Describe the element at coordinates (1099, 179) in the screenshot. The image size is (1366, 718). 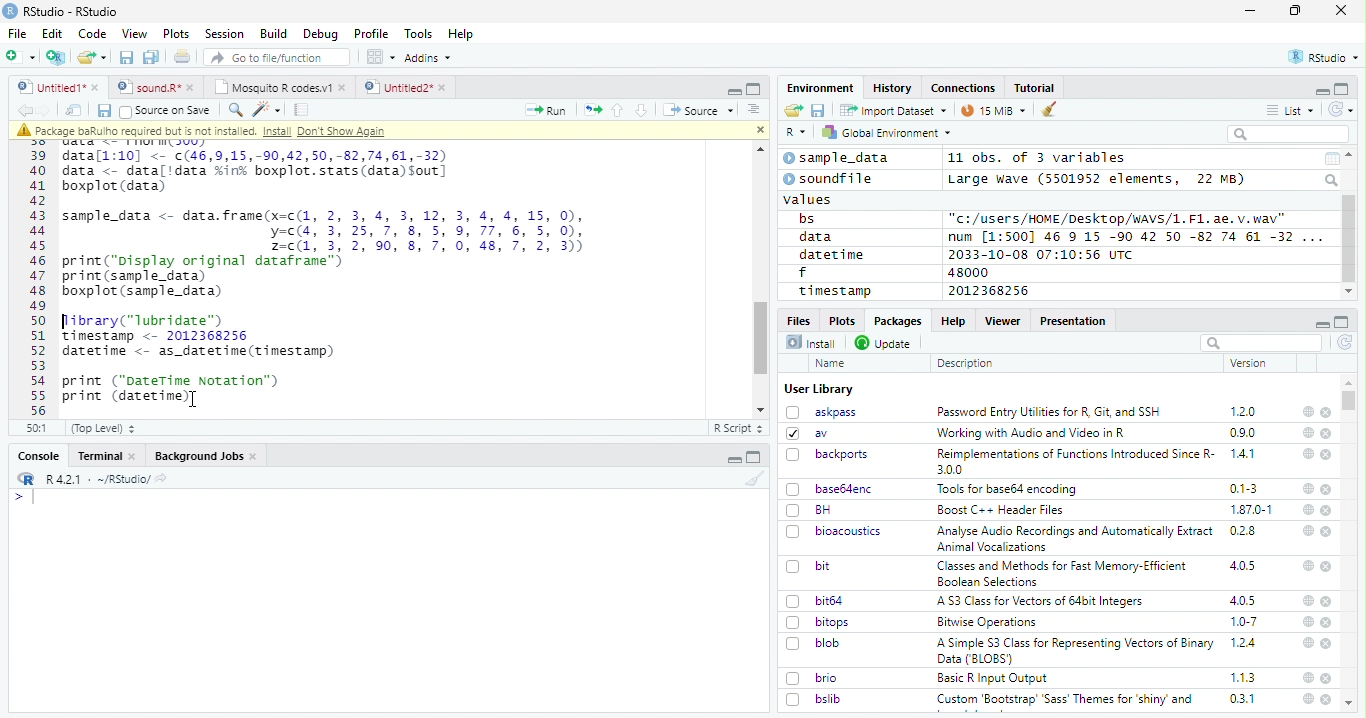
I see `Large wave (5501952 elements, 22 MB)` at that location.